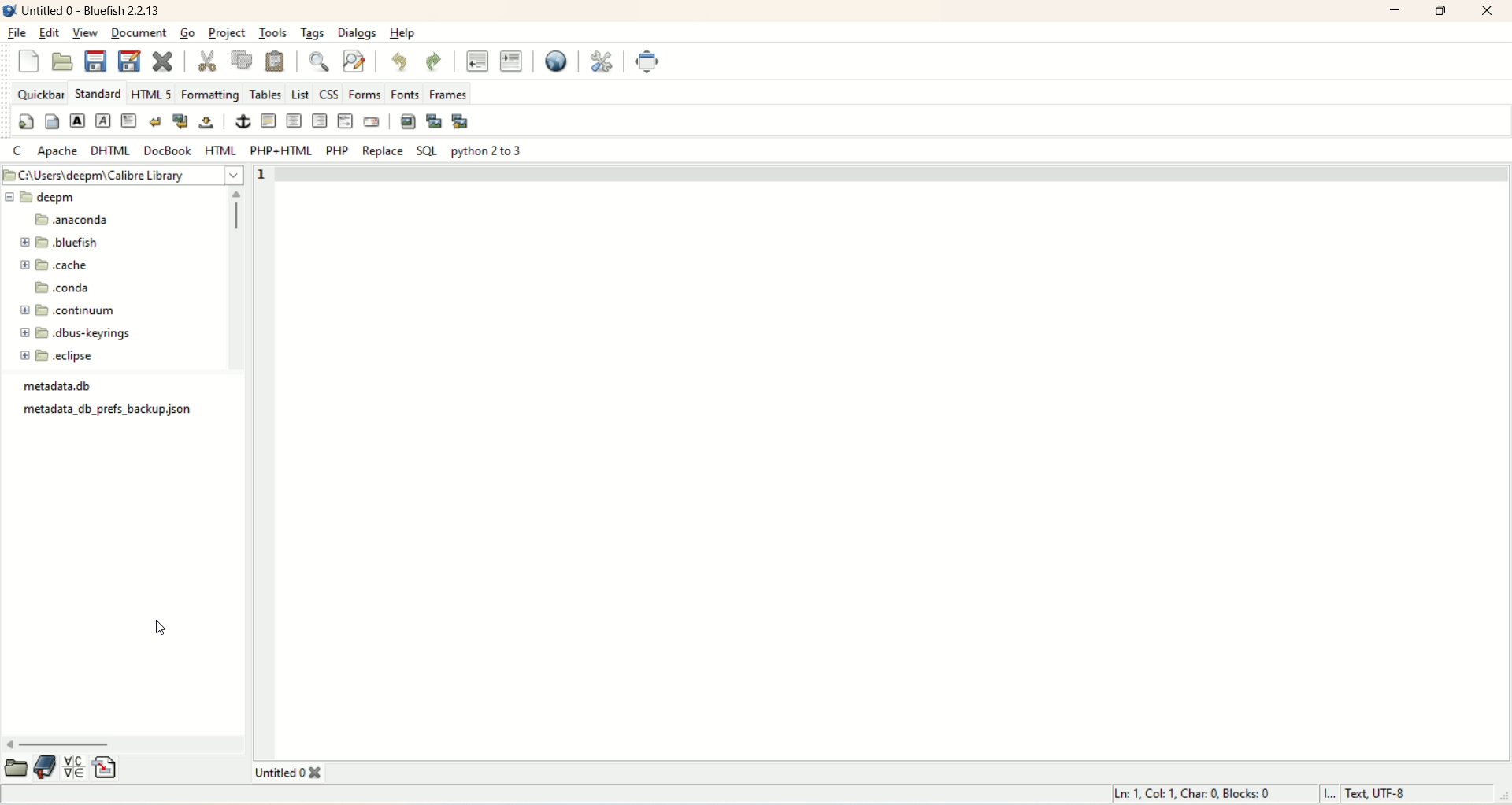  What do you see at coordinates (220, 149) in the screenshot?
I see `HTML` at bounding box center [220, 149].